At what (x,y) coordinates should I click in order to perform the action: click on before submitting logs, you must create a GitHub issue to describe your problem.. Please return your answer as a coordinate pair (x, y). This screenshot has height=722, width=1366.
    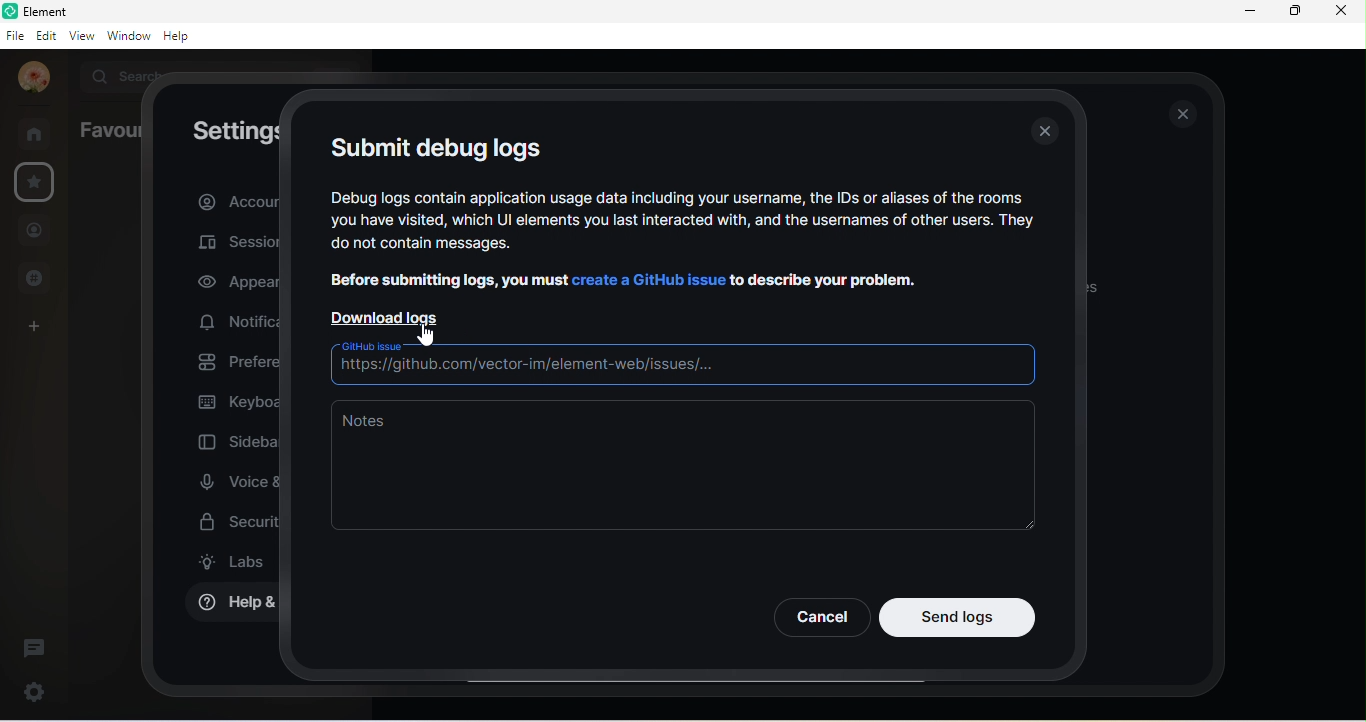
    Looking at the image, I should click on (622, 278).